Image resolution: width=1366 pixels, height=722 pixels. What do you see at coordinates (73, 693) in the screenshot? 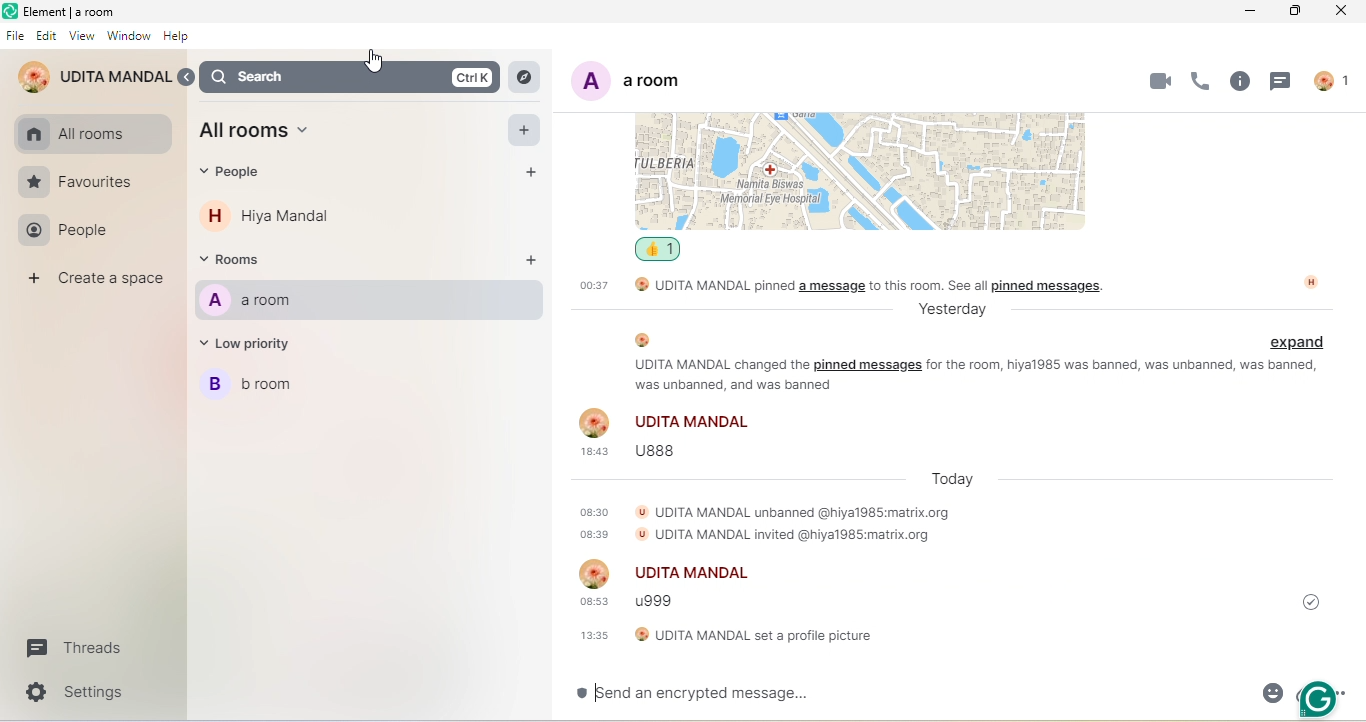
I see `Settings` at bounding box center [73, 693].